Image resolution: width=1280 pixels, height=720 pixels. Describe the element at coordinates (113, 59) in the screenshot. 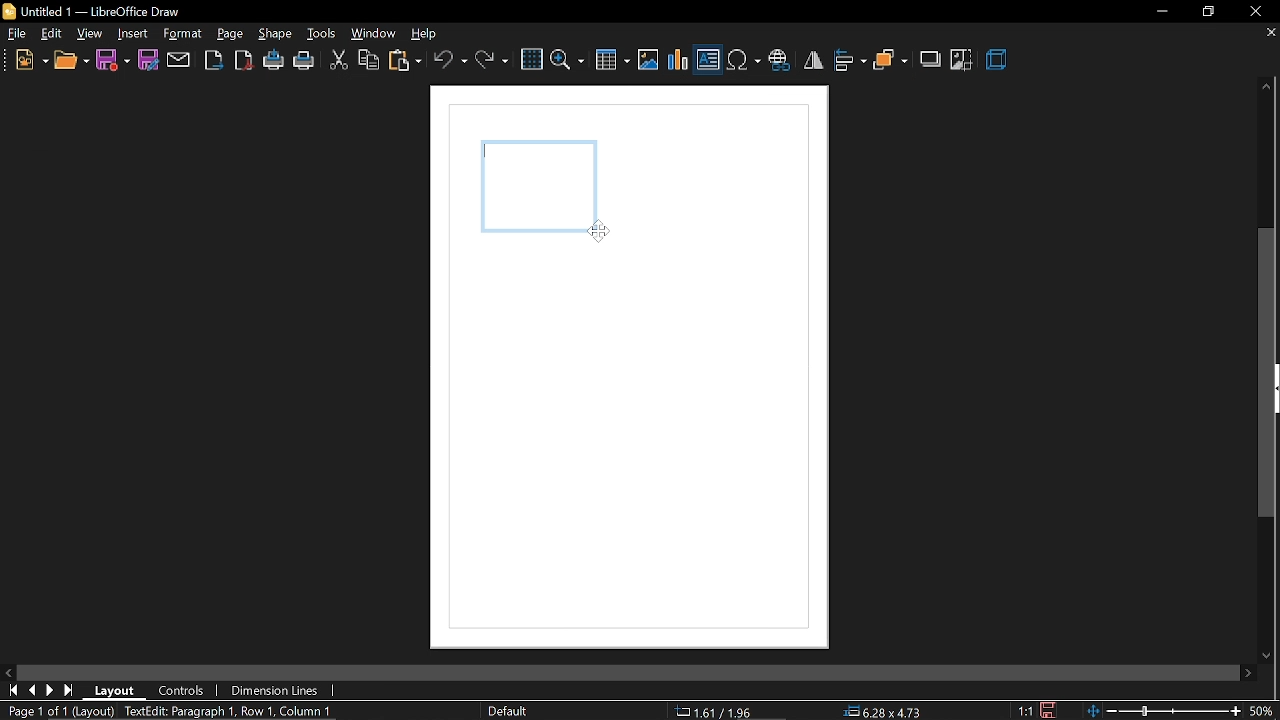

I see `save` at that location.